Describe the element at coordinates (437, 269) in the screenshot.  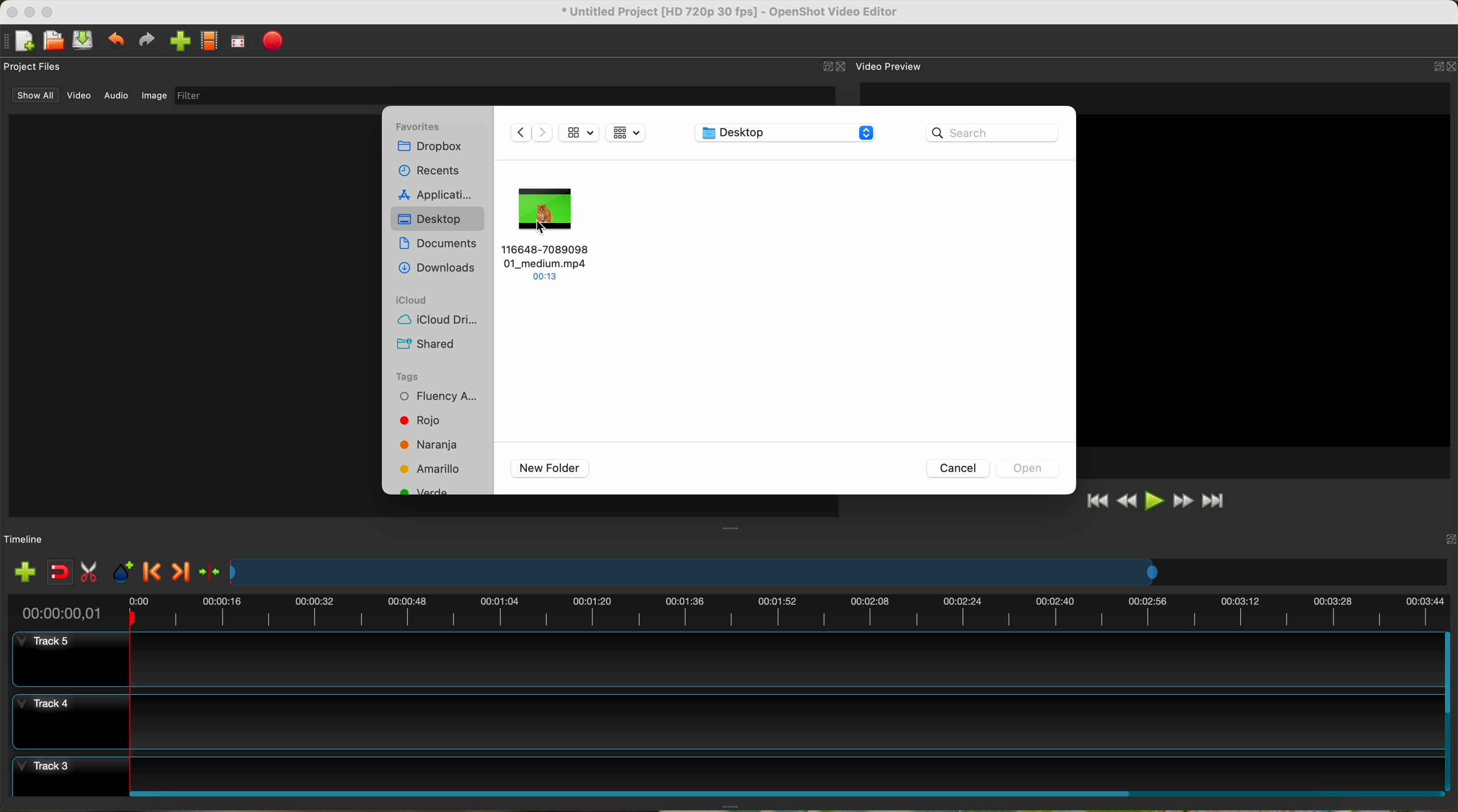
I see `downloads` at that location.